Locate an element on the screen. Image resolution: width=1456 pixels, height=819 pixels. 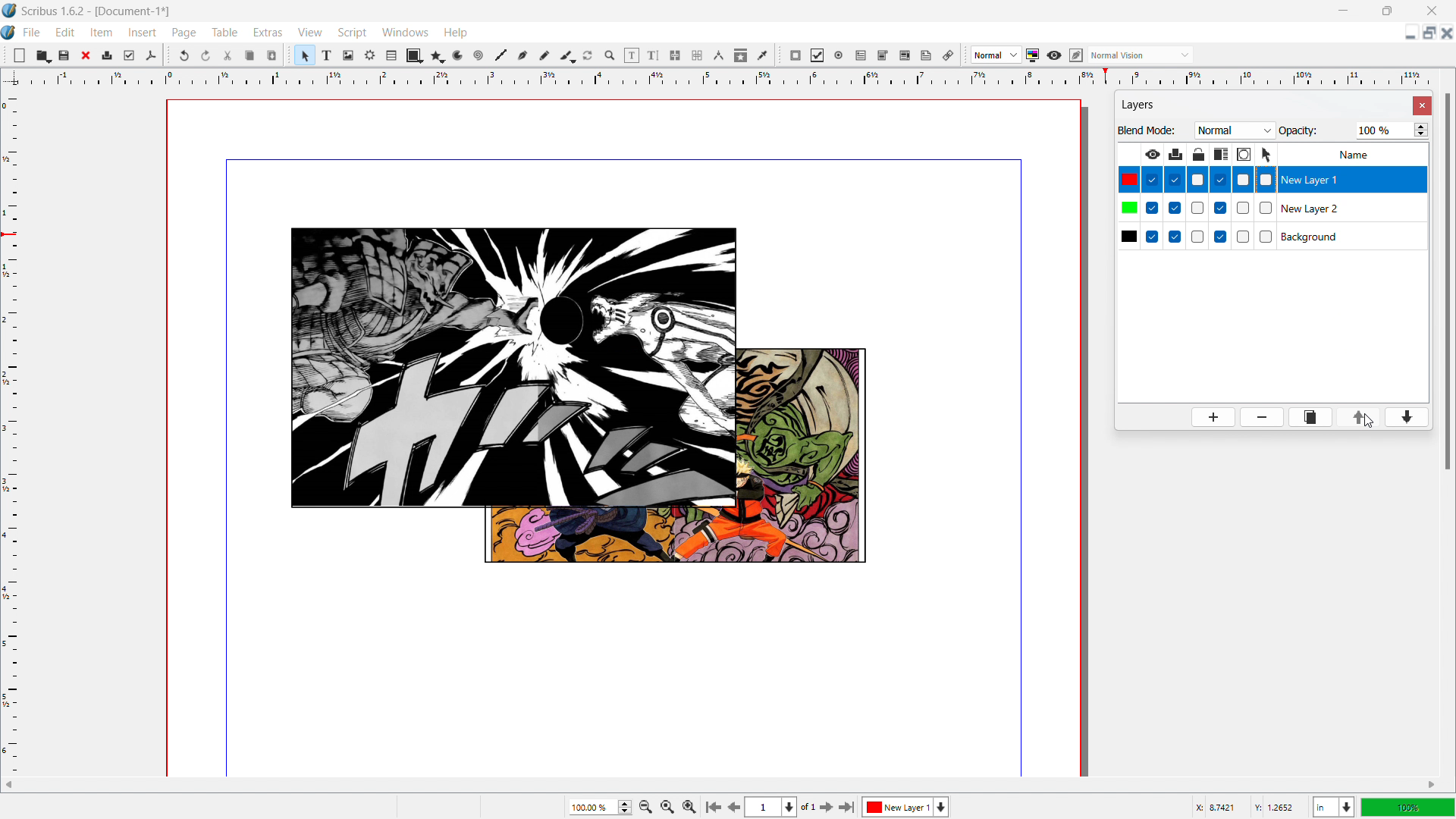
scroll left is located at coordinates (10, 784).